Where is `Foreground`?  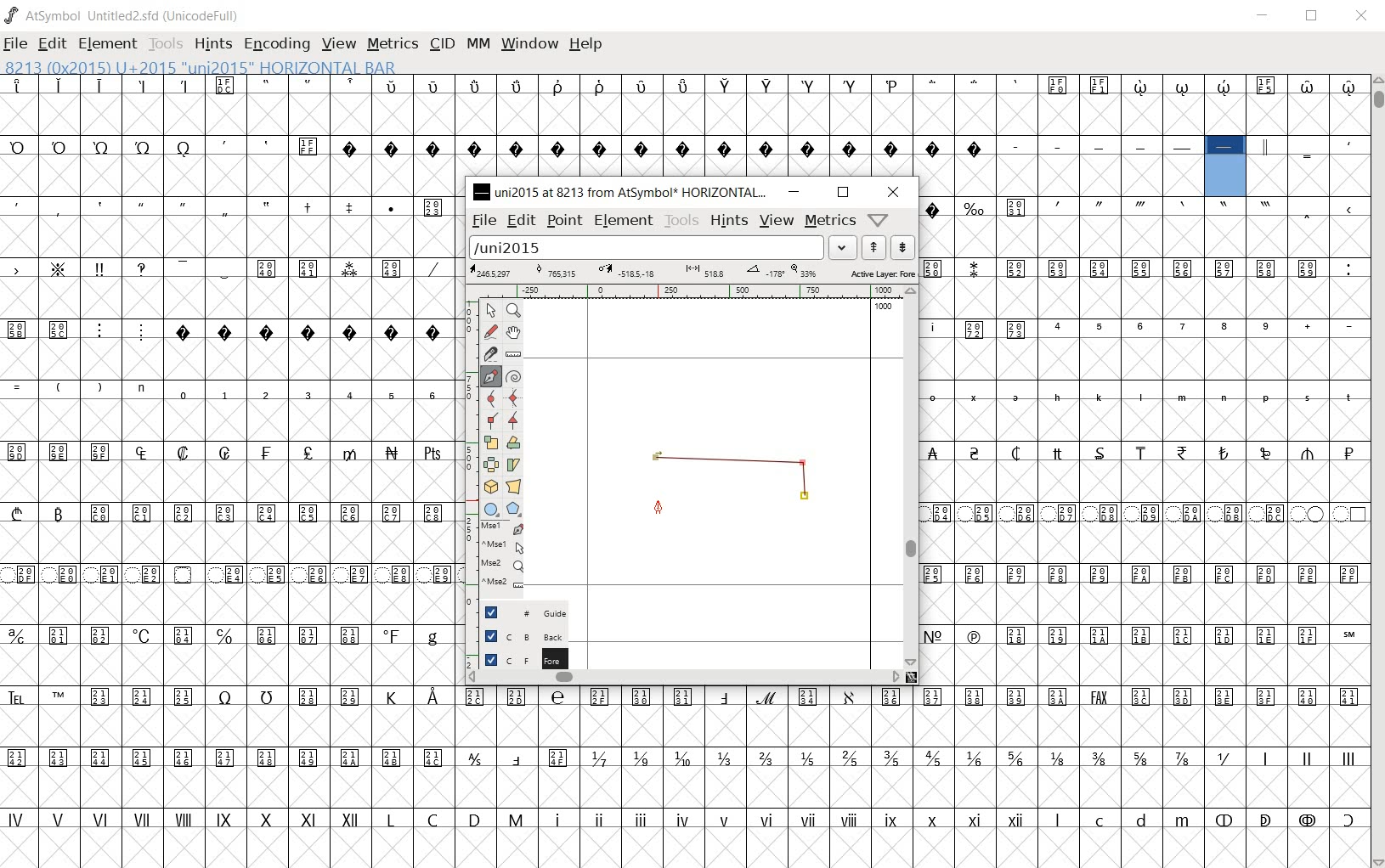 Foreground is located at coordinates (516, 658).